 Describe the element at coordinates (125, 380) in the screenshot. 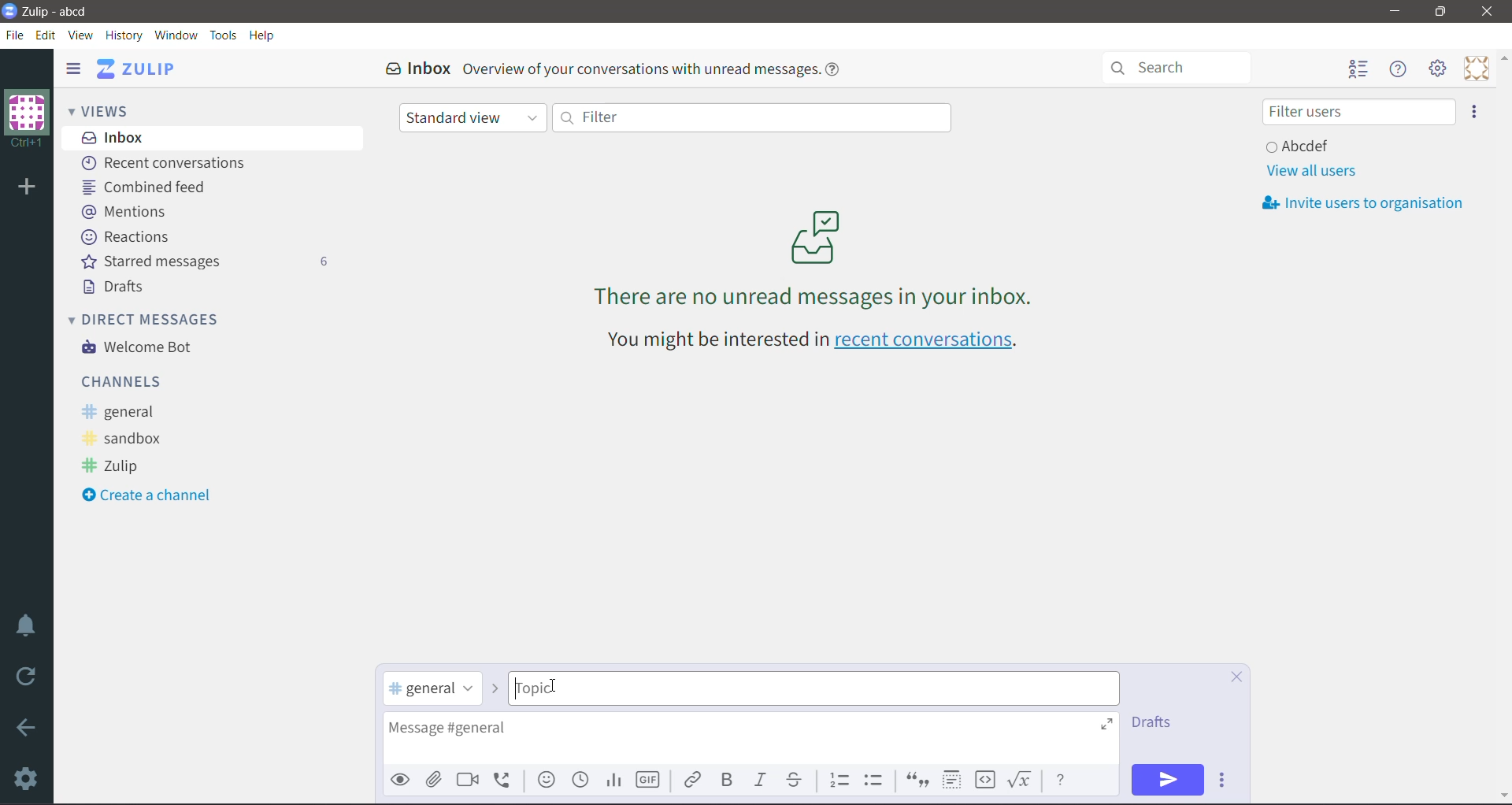

I see `Channels` at that location.